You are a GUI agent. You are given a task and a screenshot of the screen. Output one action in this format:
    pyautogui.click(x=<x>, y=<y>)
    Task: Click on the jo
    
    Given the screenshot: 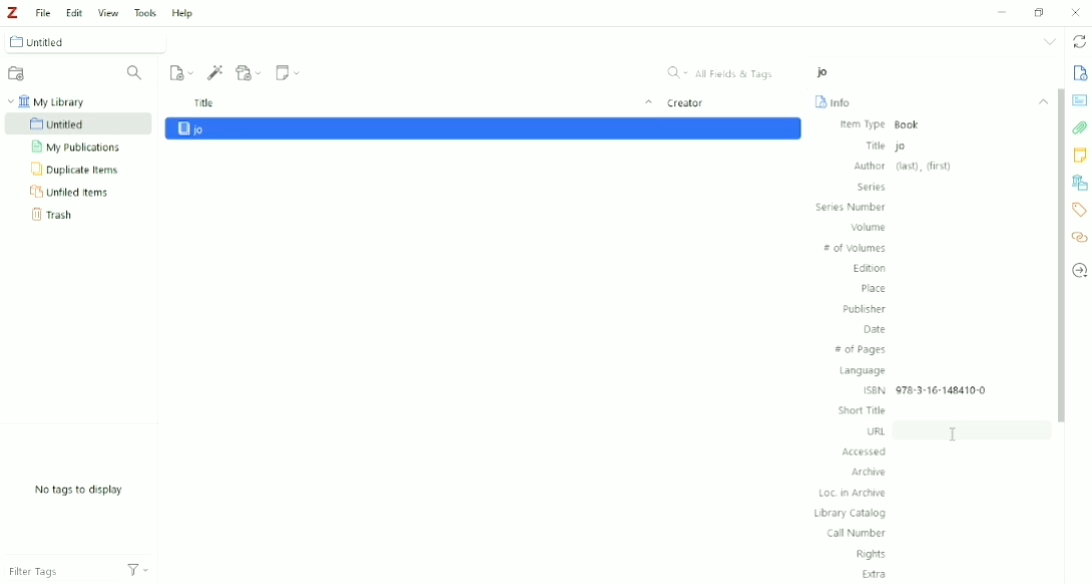 What is the action you would take?
    pyautogui.click(x=483, y=129)
    